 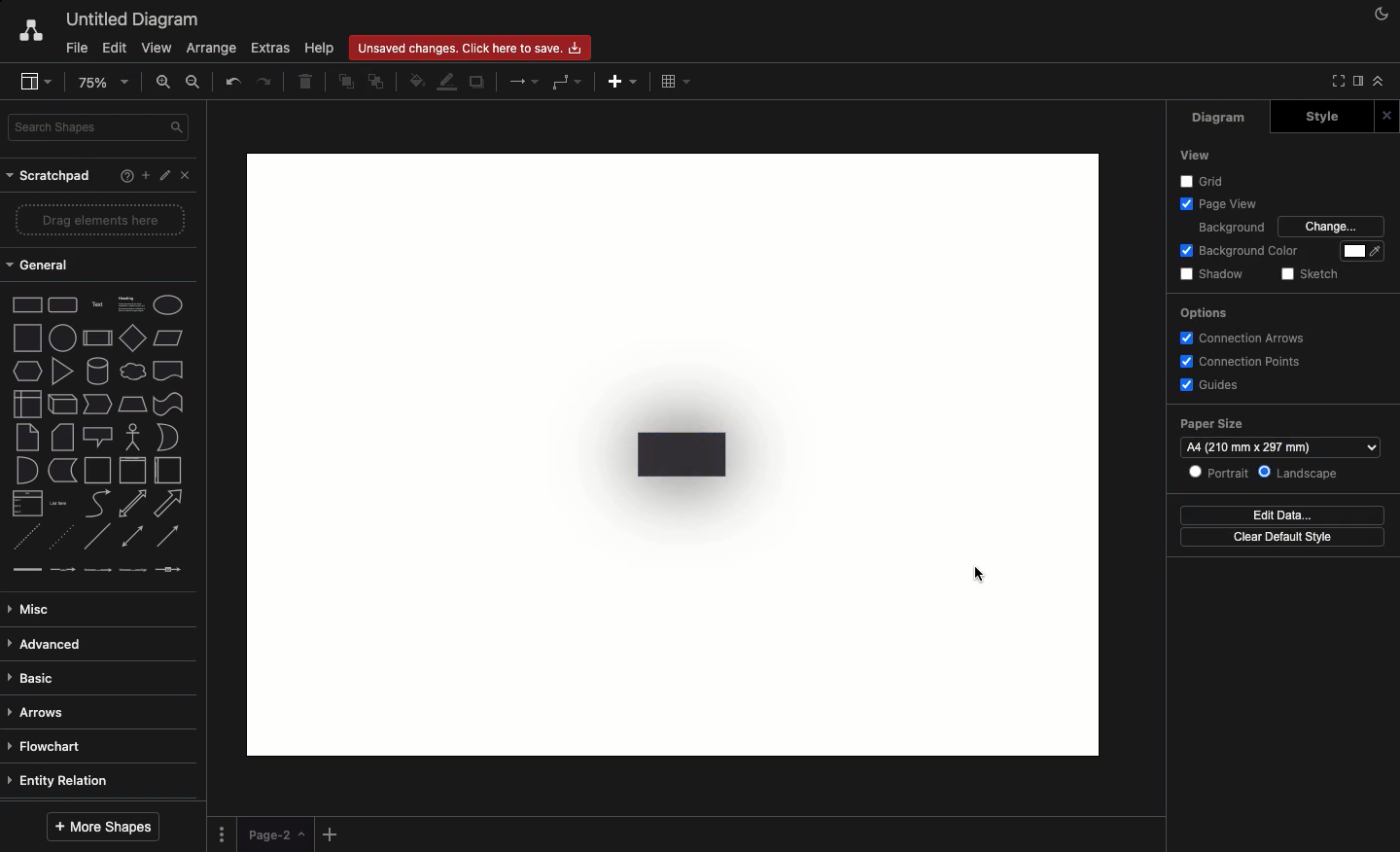 What do you see at coordinates (1215, 274) in the screenshot?
I see `Shadow` at bounding box center [1215, 274].